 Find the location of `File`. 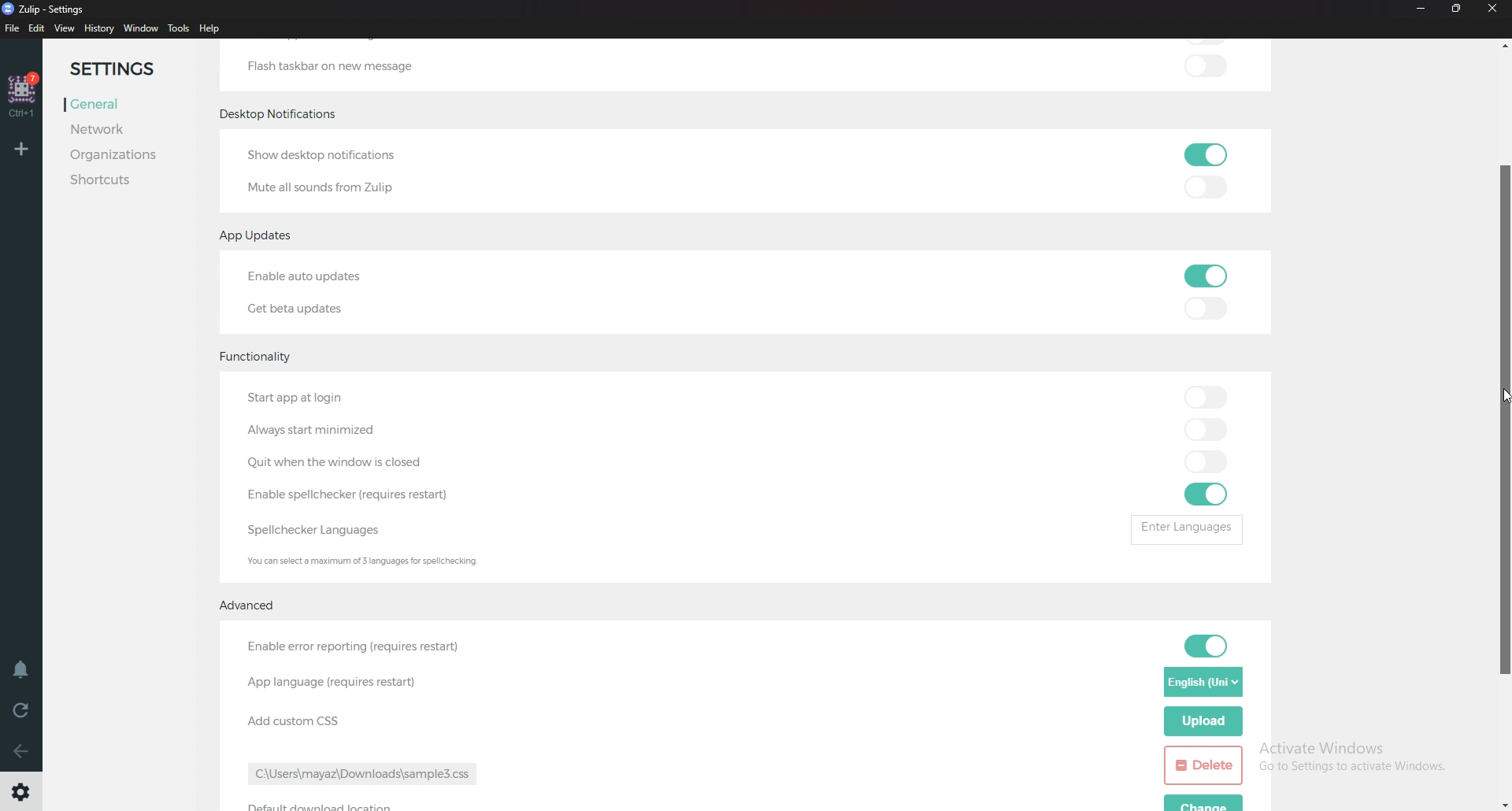

File is located at coordinates (13, 29).